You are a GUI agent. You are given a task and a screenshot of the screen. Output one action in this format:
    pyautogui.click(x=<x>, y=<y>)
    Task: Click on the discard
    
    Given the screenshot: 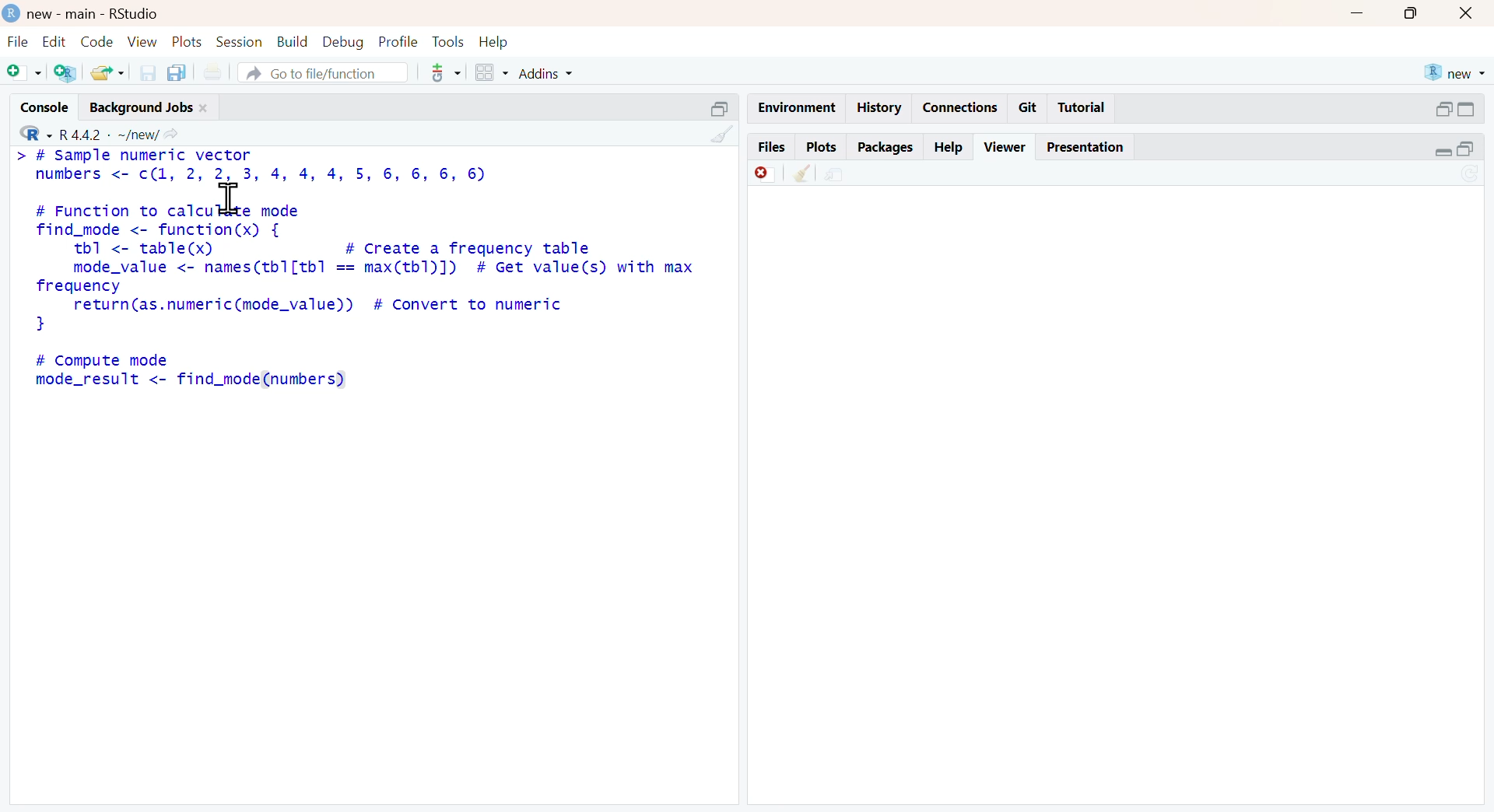 What is the action you would take?
    pyautogui.click(x=766, y=174)
    